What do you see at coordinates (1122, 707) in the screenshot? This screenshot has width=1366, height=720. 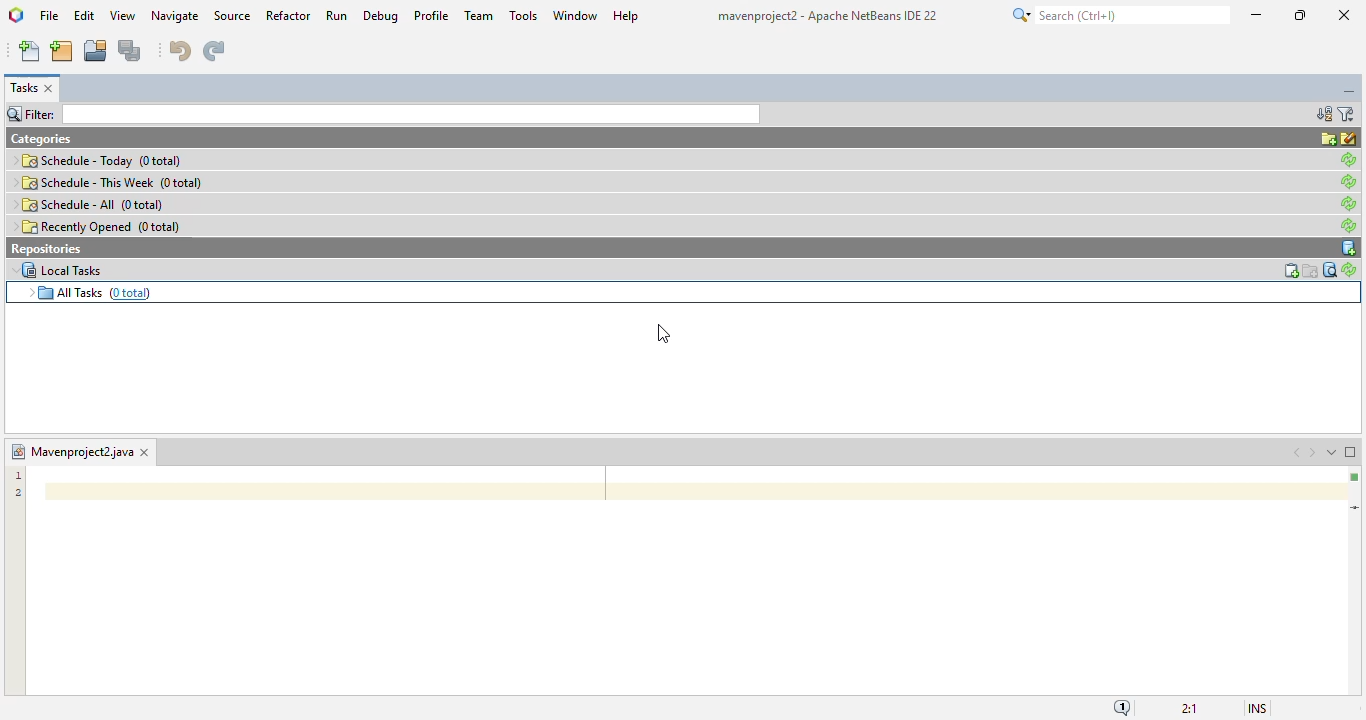 I see `notifications` at bounding box center [1122, 707].